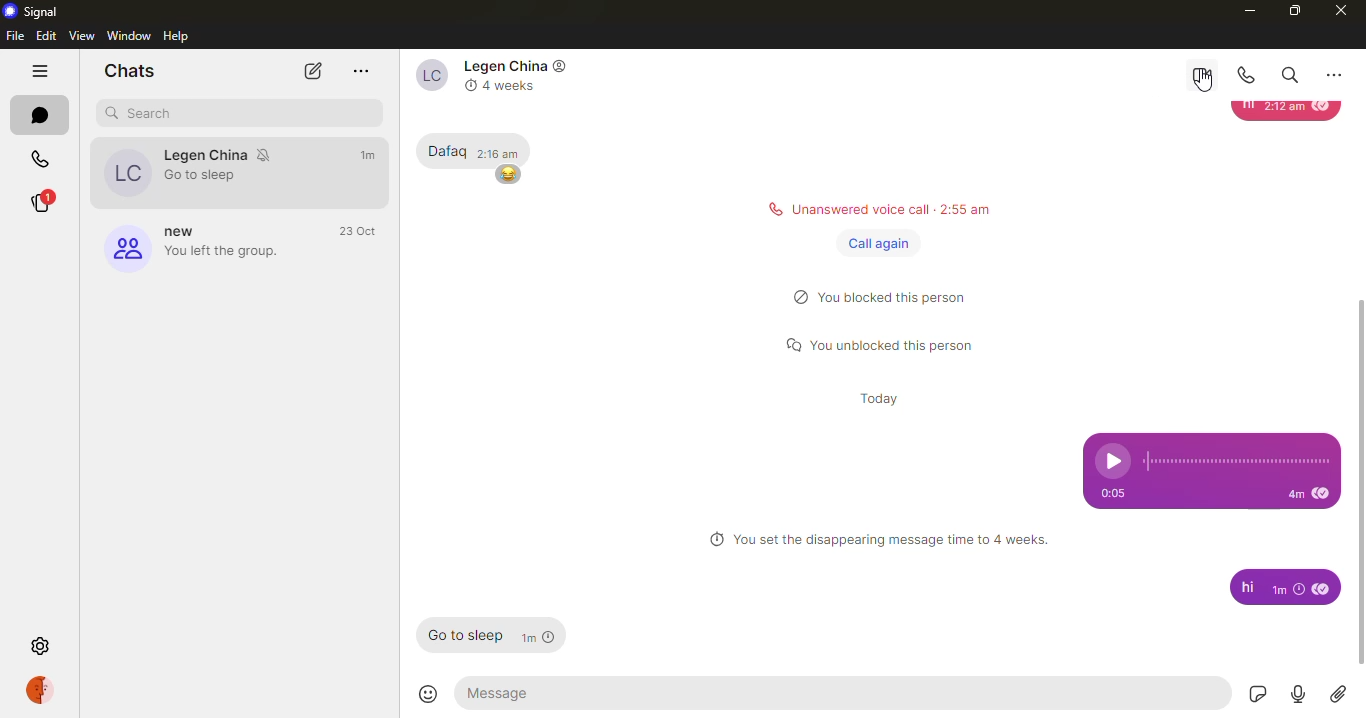 This screenshot has width=1366, height=718. What do you see at coordinates (1205, 73) in the screenshot?
I see `video call` at bounding box center [1205, 73].